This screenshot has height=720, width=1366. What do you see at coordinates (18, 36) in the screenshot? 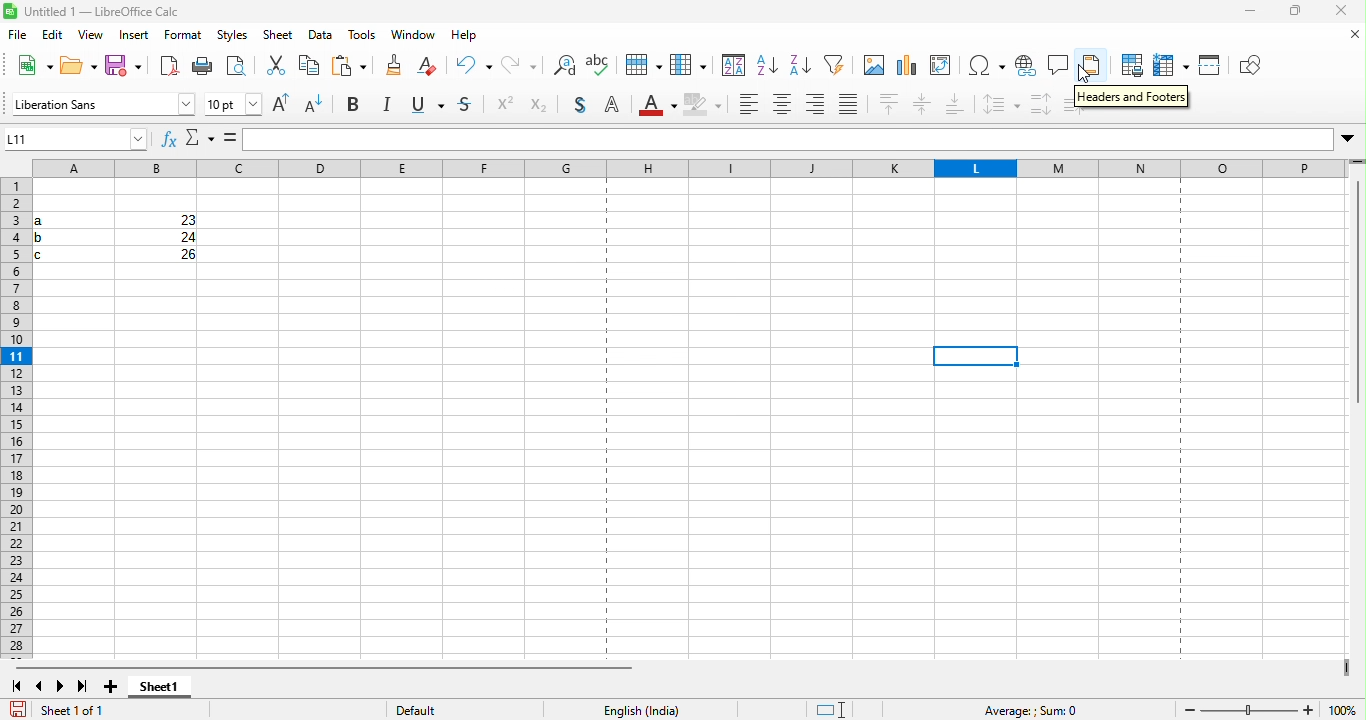
I see `file` at bounding box center [18, 36].